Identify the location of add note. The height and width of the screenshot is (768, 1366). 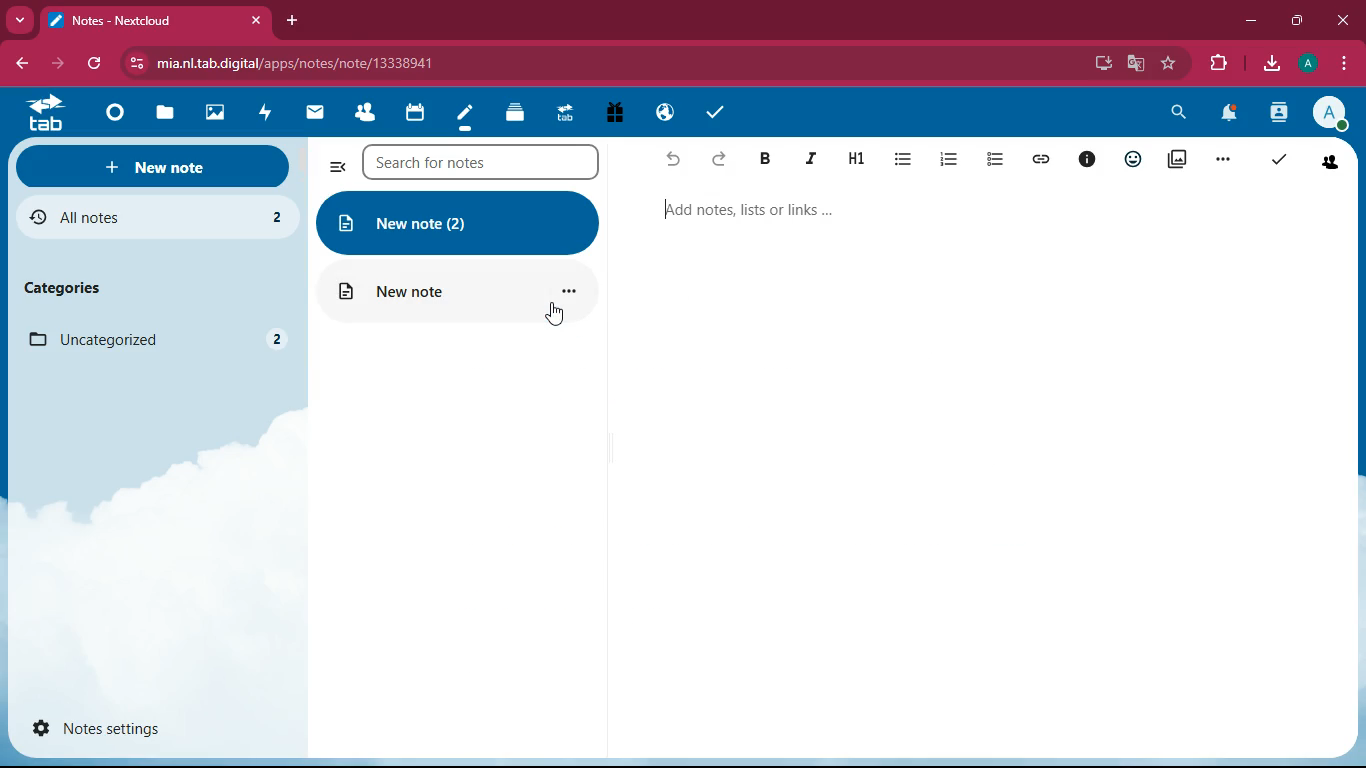
(746, 210).